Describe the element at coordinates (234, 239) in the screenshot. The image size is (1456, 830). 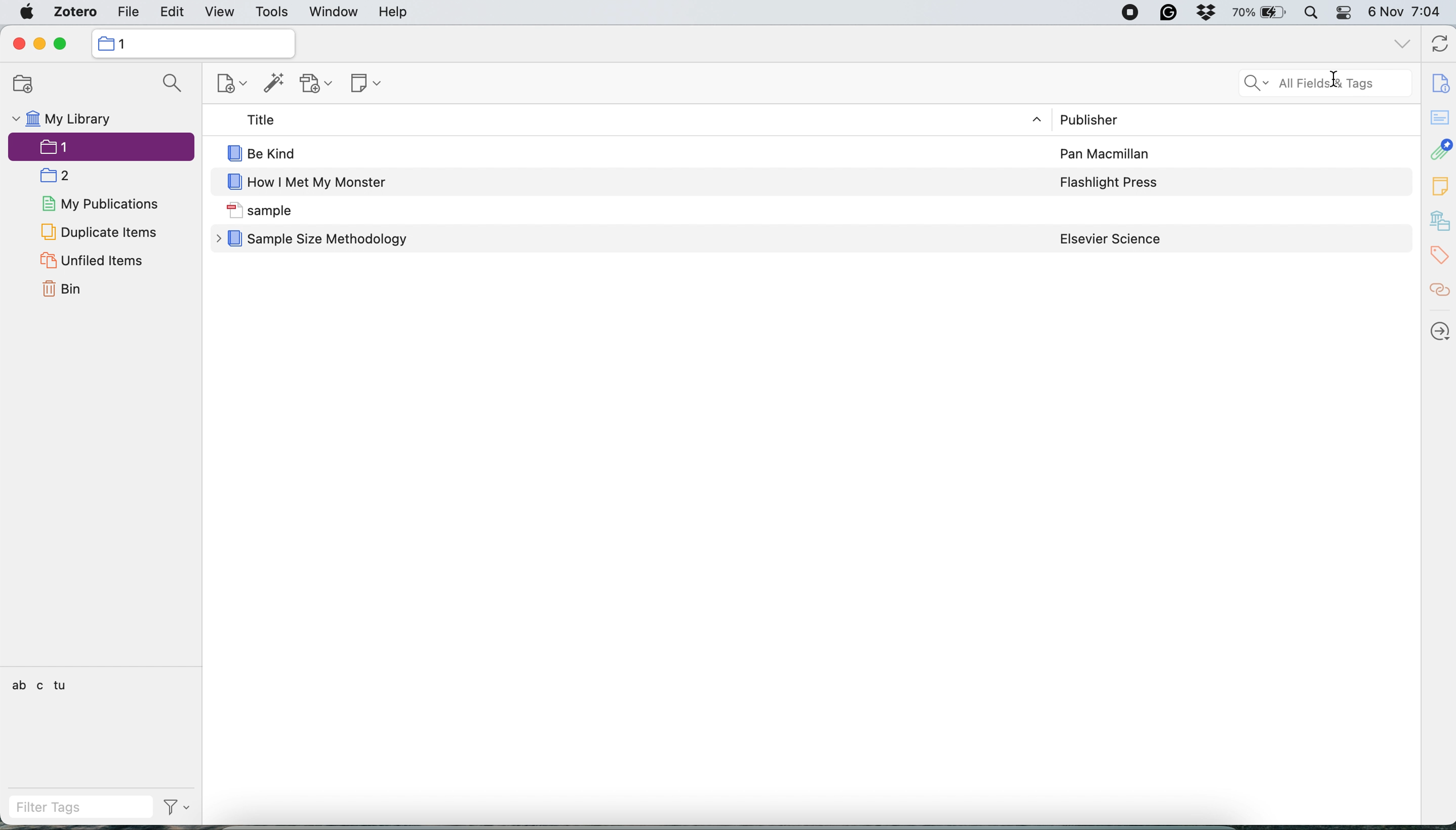
I see `icon` at that location.